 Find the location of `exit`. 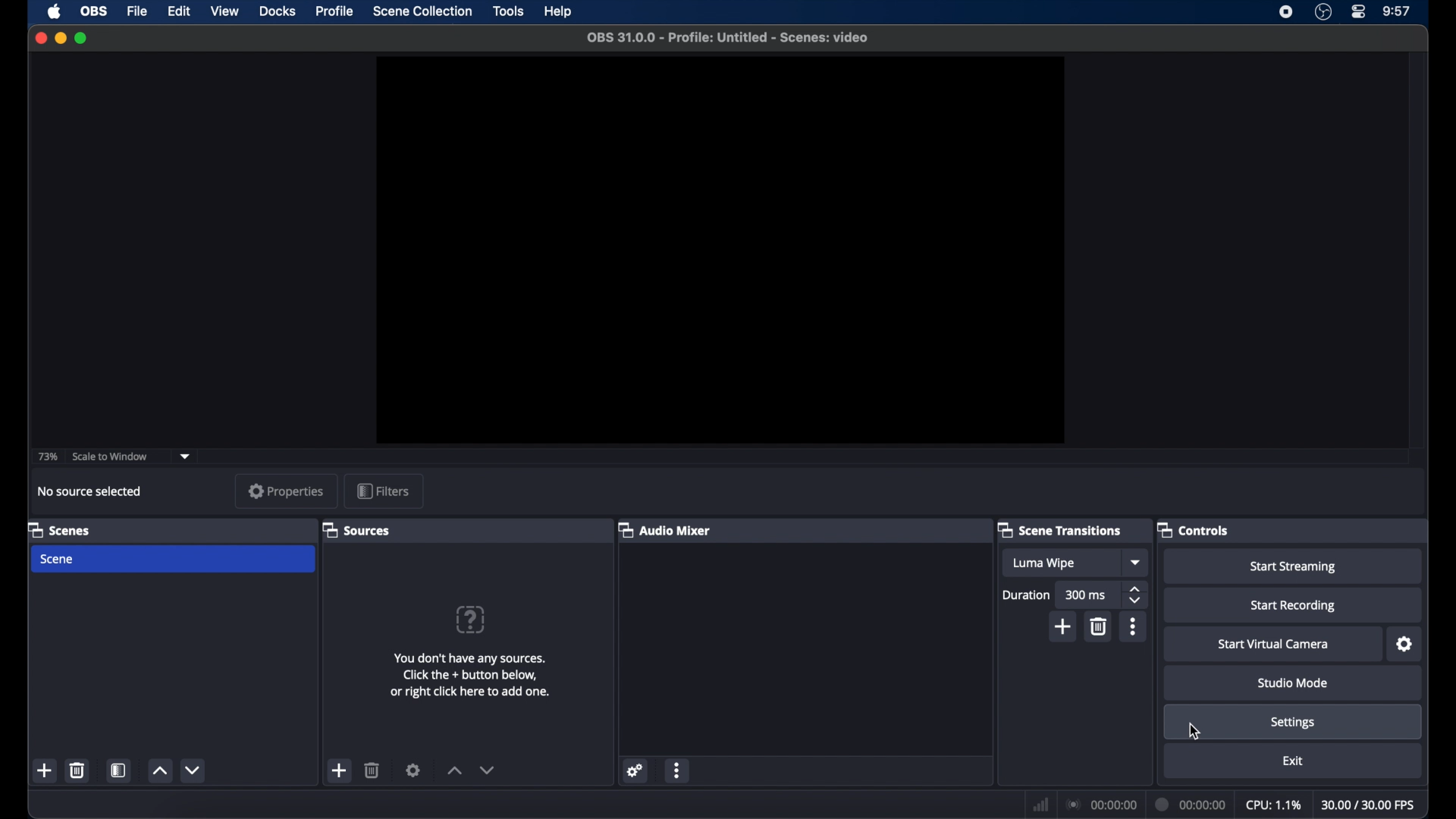

exit is located at coordinates (1292, 761).